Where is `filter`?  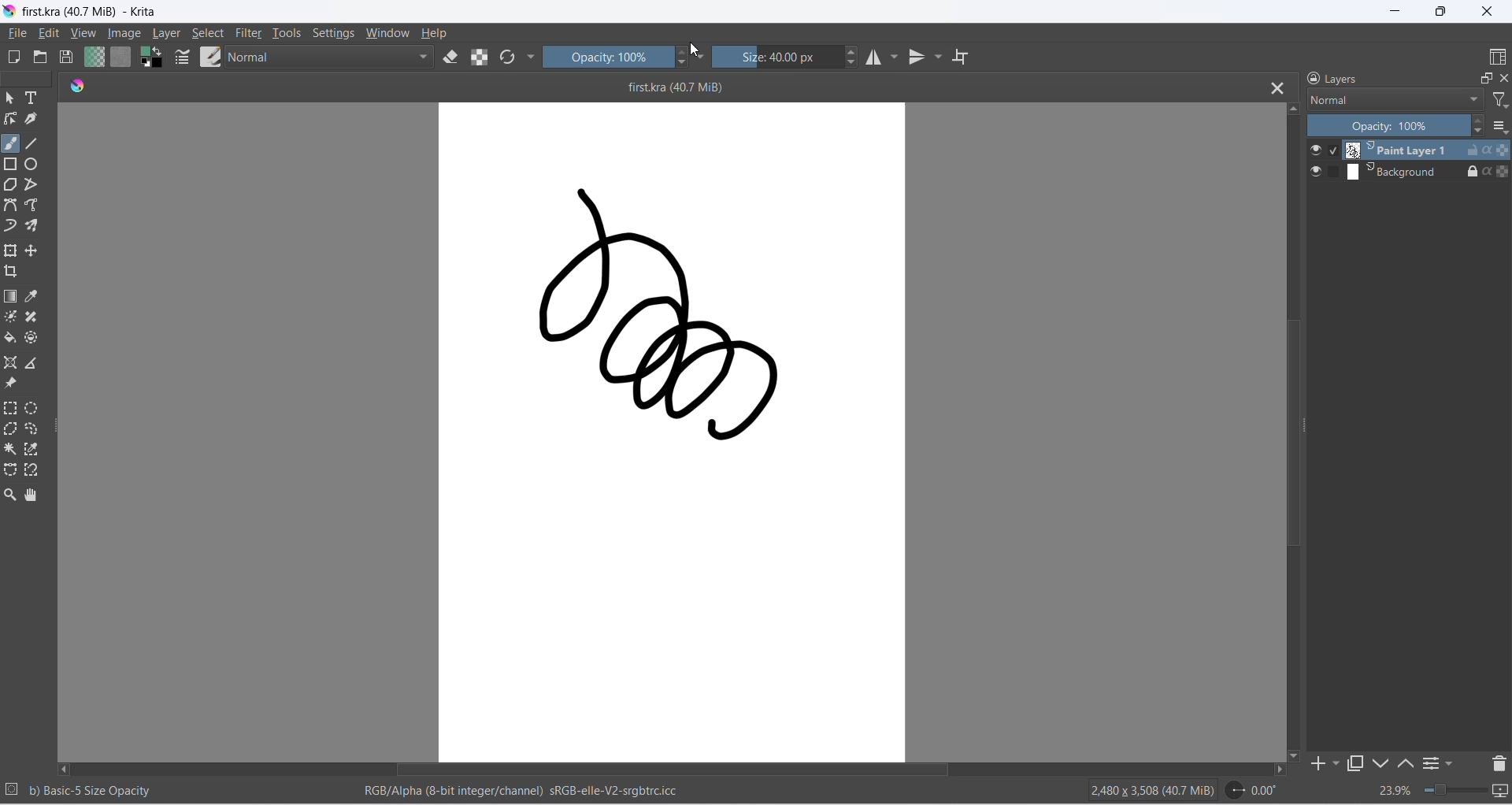
filter is located at coordinates (249, 33).